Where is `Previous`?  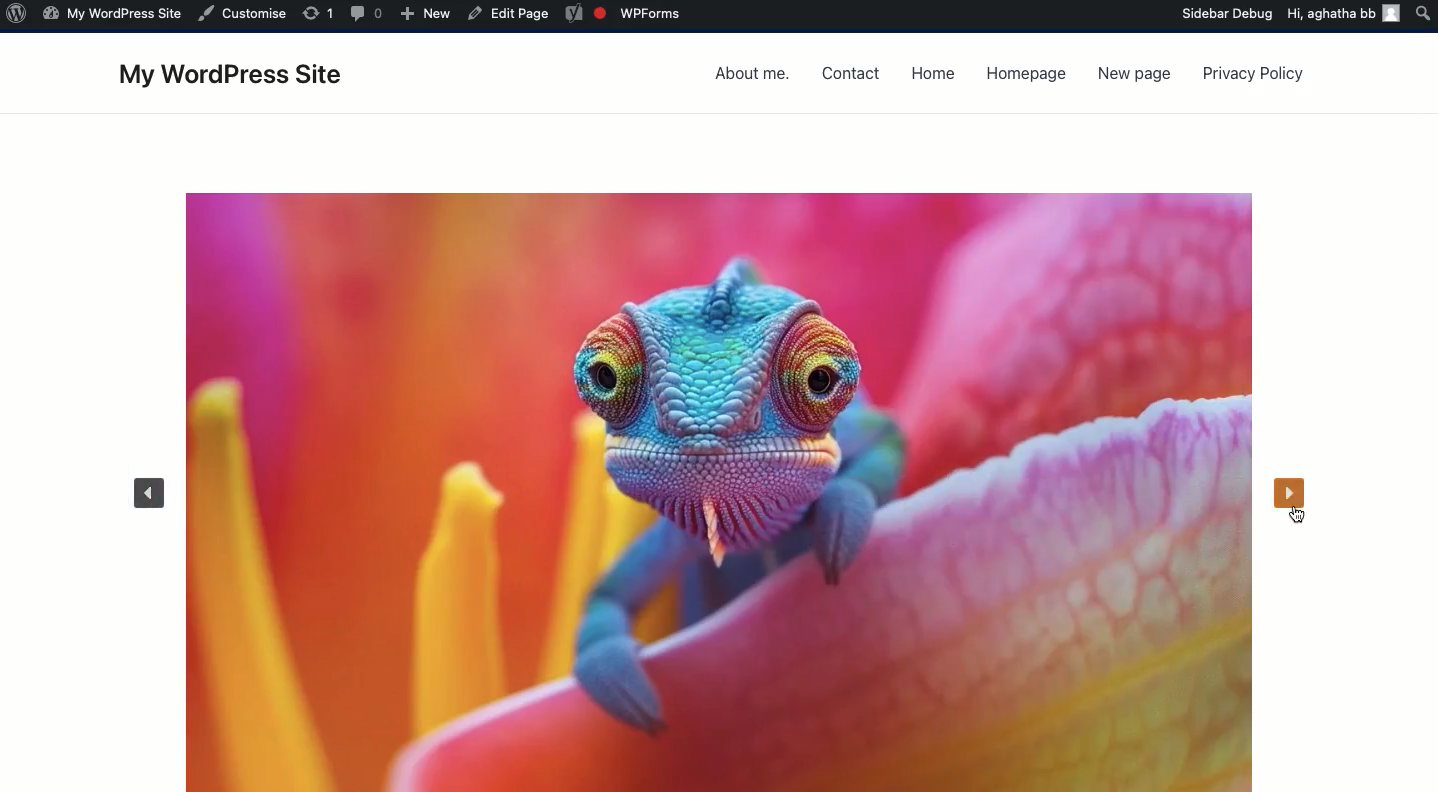
Previous is located at coordinates (144, 492).